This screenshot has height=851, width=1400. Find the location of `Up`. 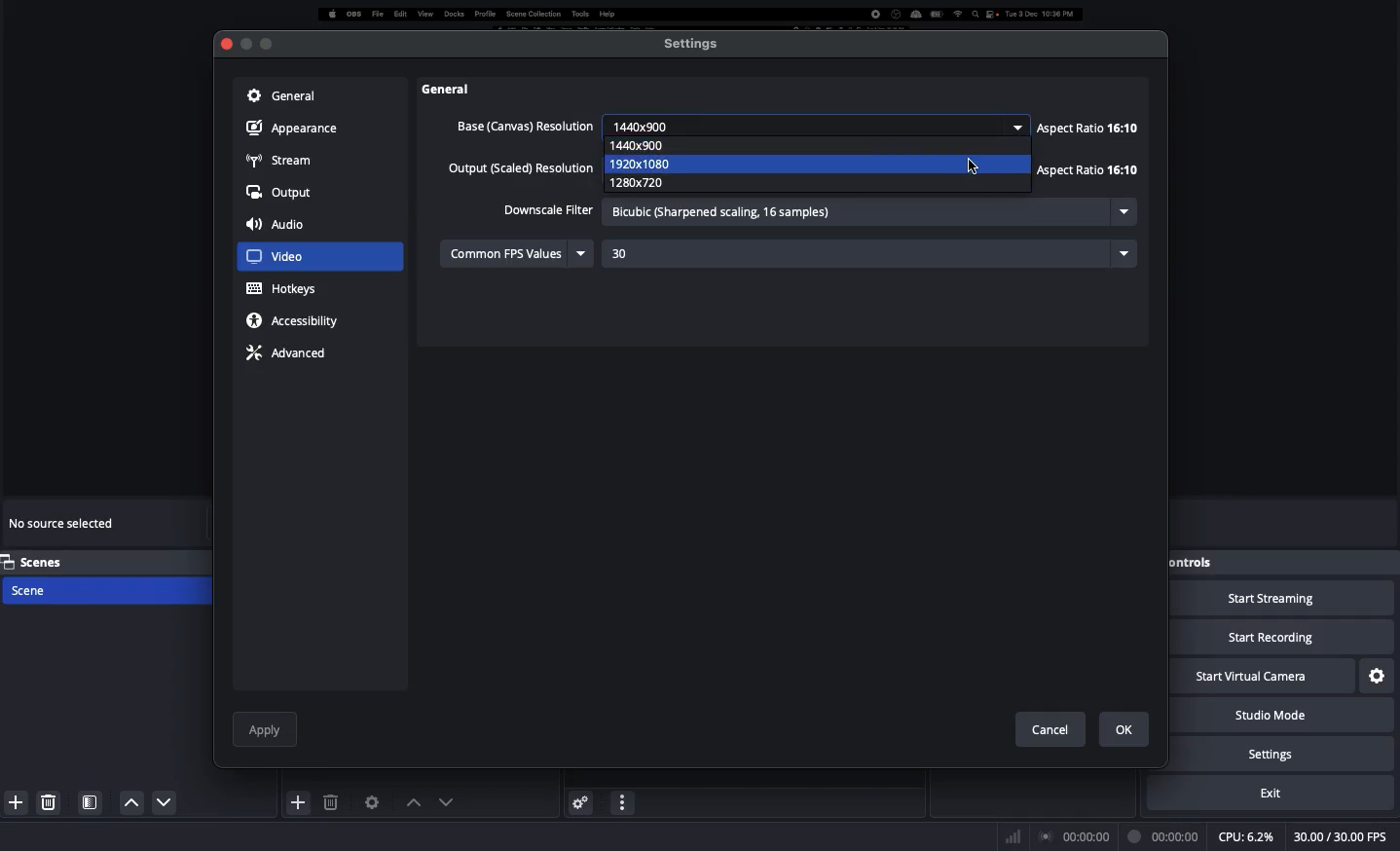

Up is located at coordinates (159, 804).